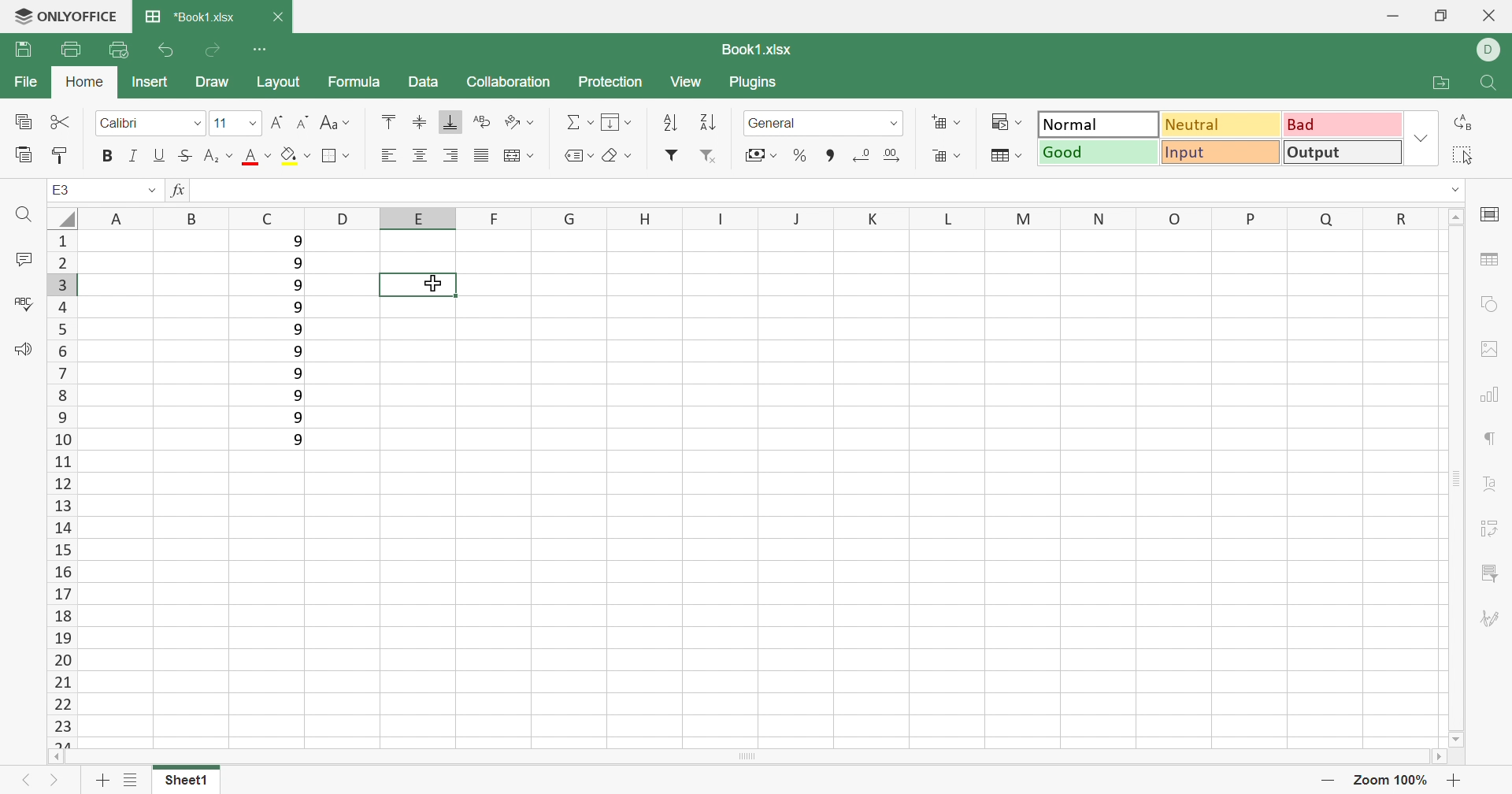 This screenshot has width=1512, height=794. What do you see at coordinates (1492, 258) in the screenshot?
I see `table settings` at bounding box center [1492, 258].